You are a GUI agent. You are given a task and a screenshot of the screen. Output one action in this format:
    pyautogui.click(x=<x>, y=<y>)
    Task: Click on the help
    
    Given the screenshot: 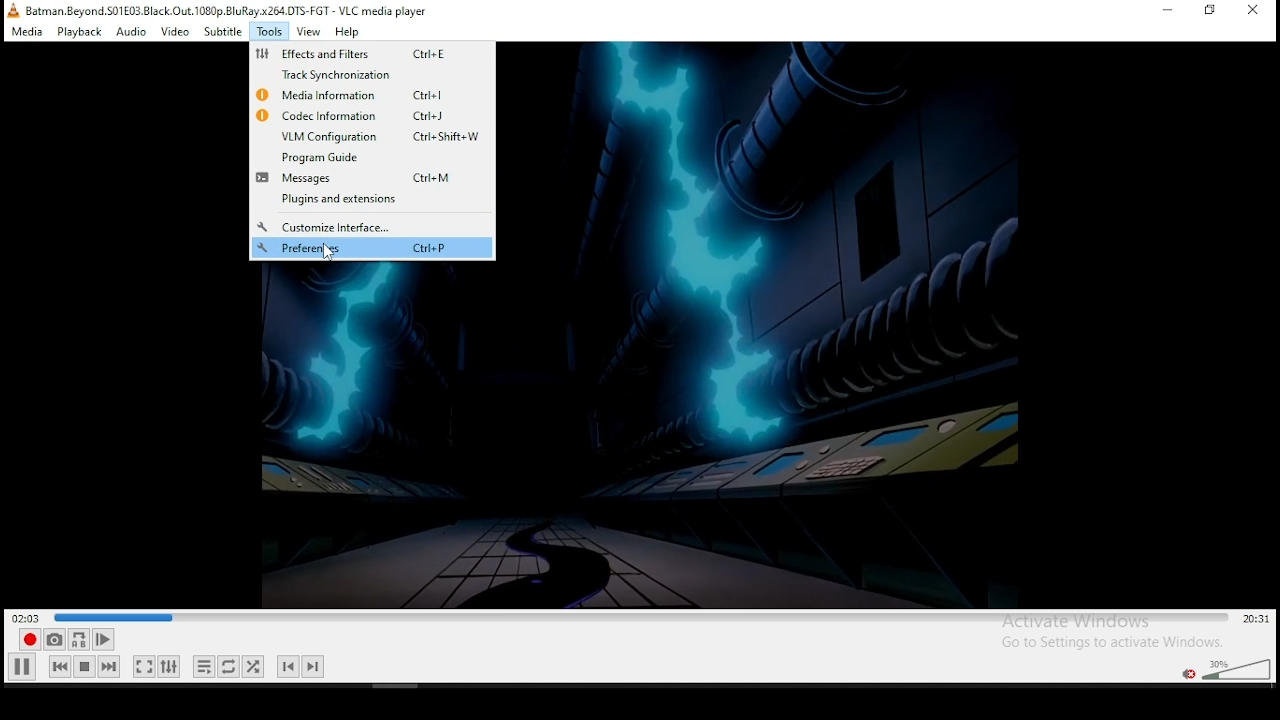 What is the action you would take?
    pyautogui.click(x=347, y=32)
    